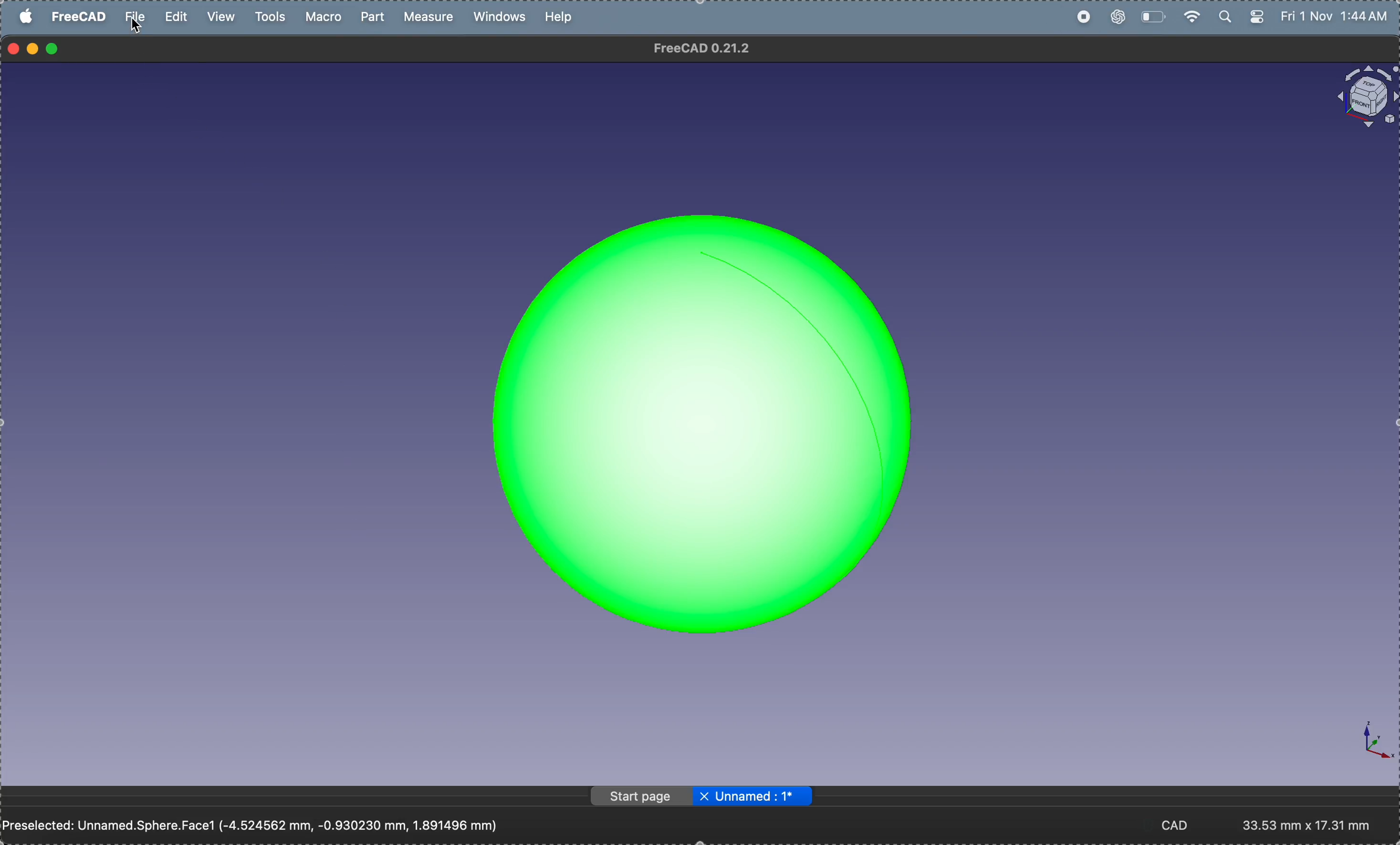 This screenshot has width=1400, height=845. I want to click on sphere, so click(698, 407).